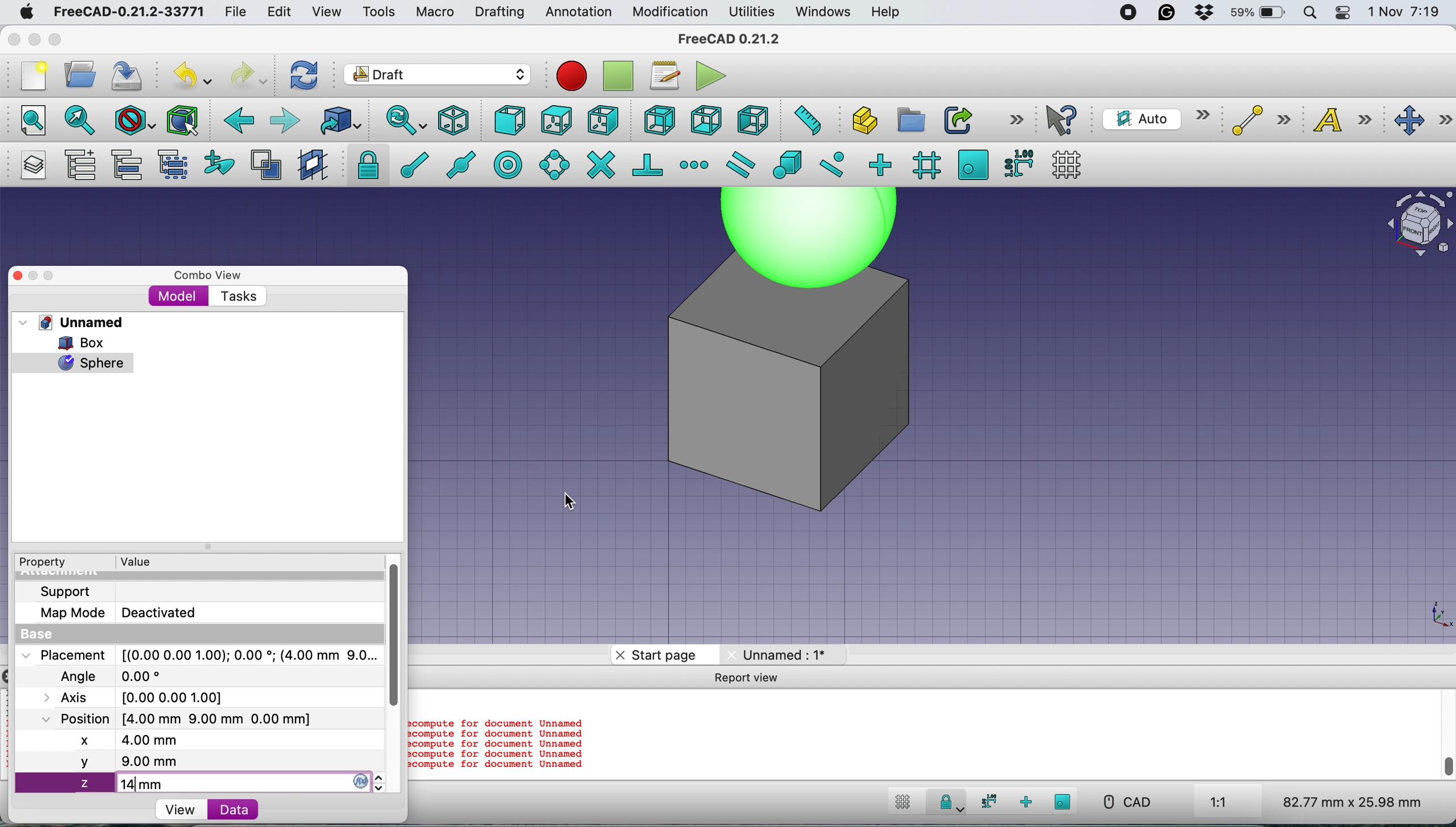 This screenshot has height=827, width=1456. I want to click on edit, so click(281, 13).